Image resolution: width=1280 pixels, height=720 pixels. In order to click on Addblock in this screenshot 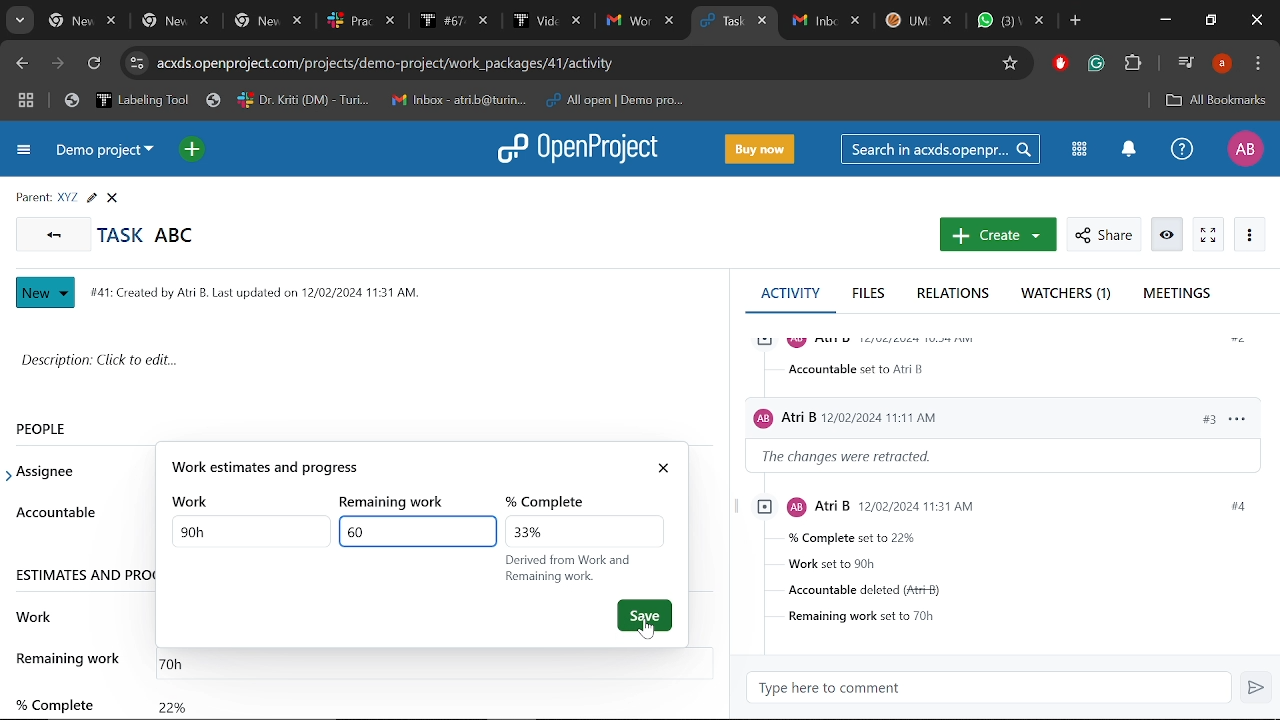, I will do `click(1061, 64)`.